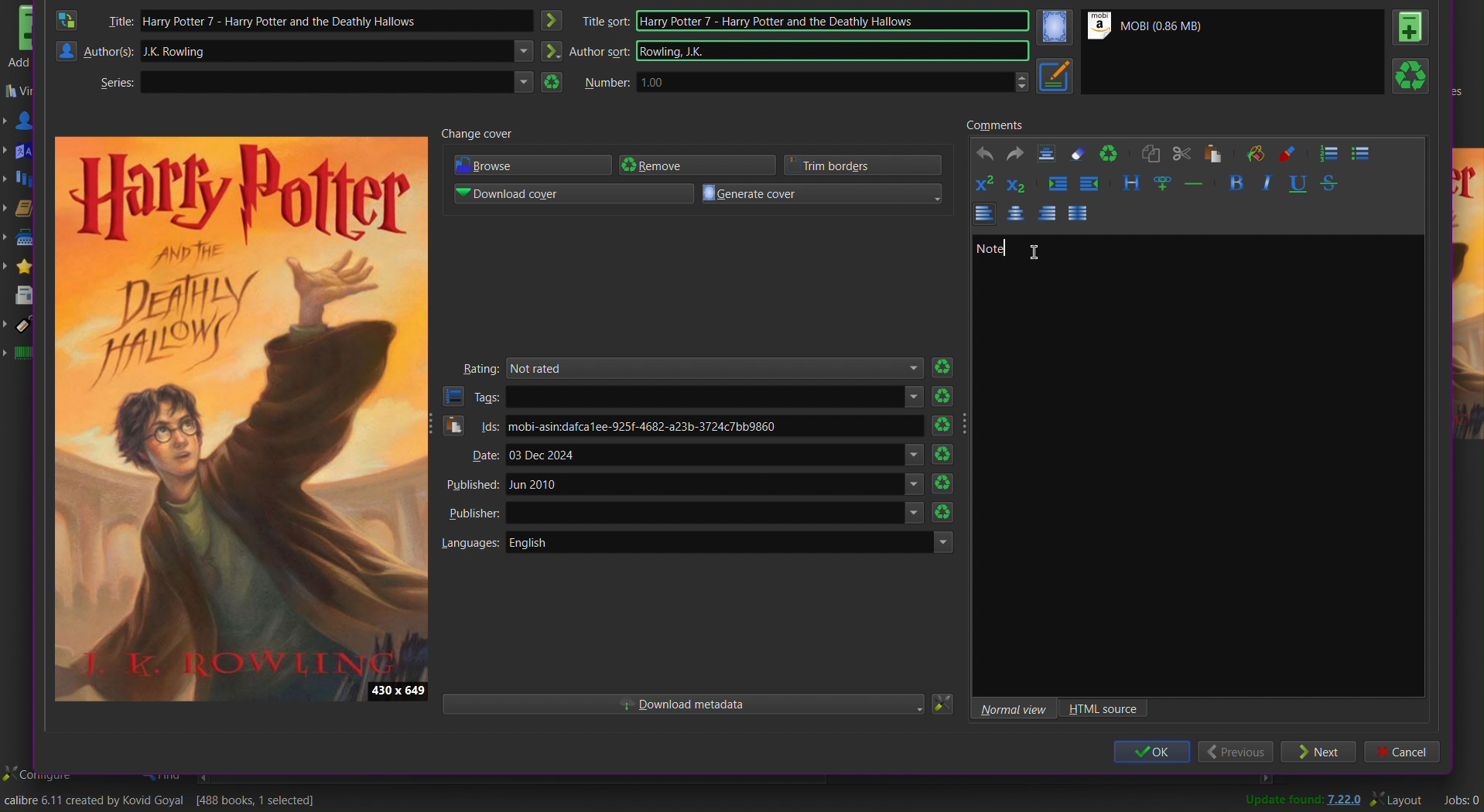  I want to click on Change cover, so click(475, 137).